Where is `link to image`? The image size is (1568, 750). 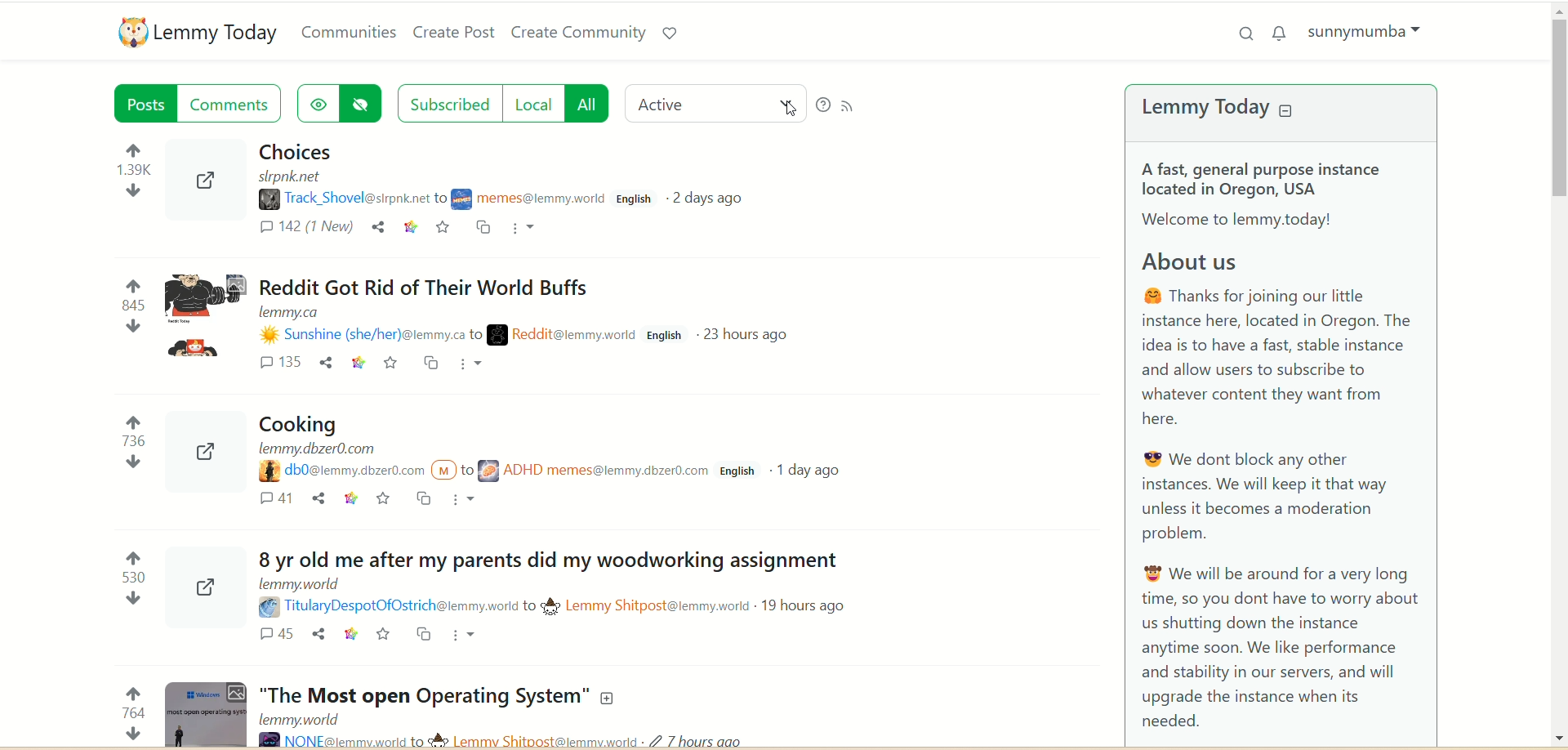
link to image is located at coordinates (189, 453).